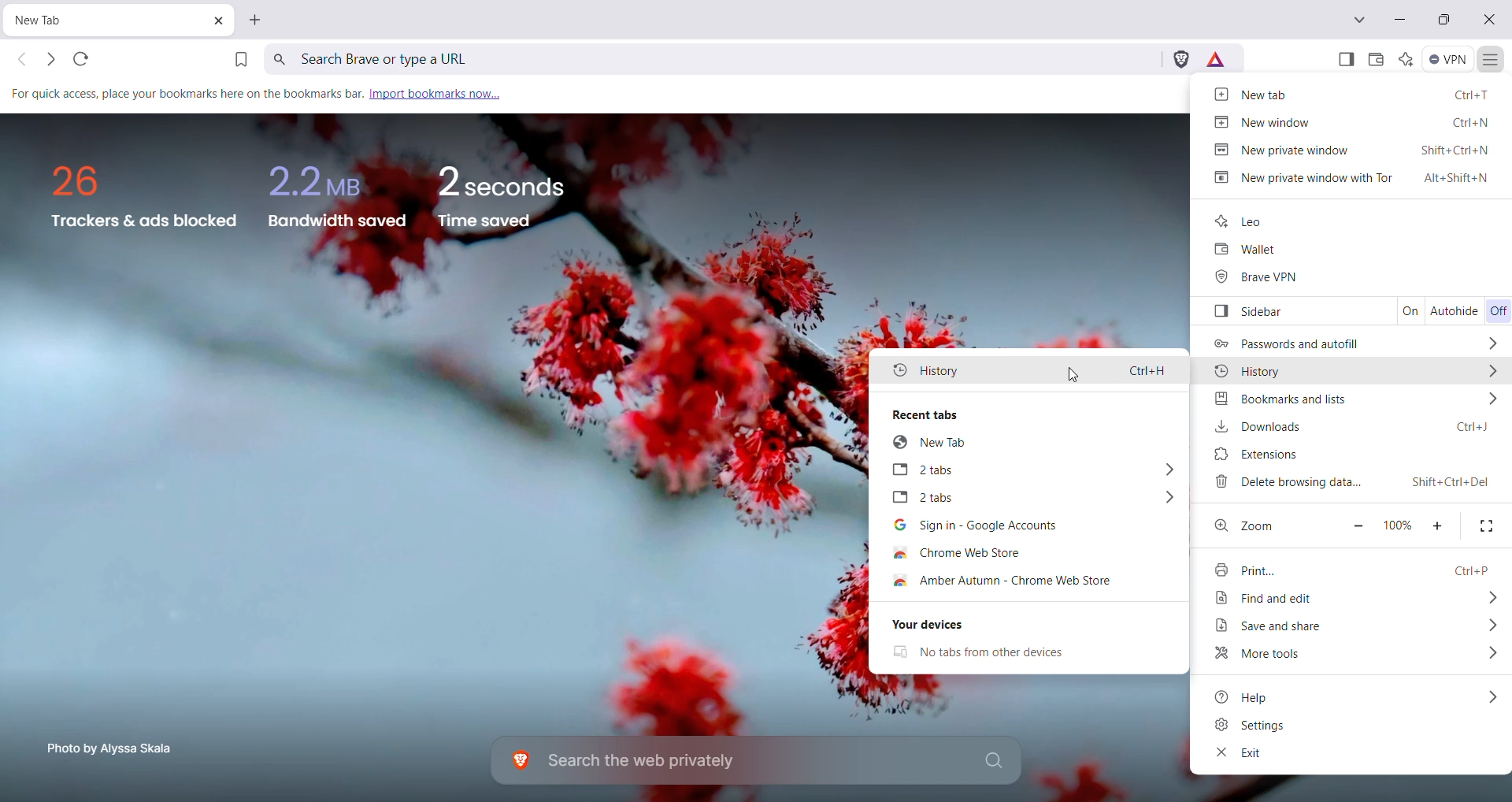  What do you see at coordinates (1352, 482) in the screenshot?
I see `Delete browsing data` at bounding box center [1352, 482].